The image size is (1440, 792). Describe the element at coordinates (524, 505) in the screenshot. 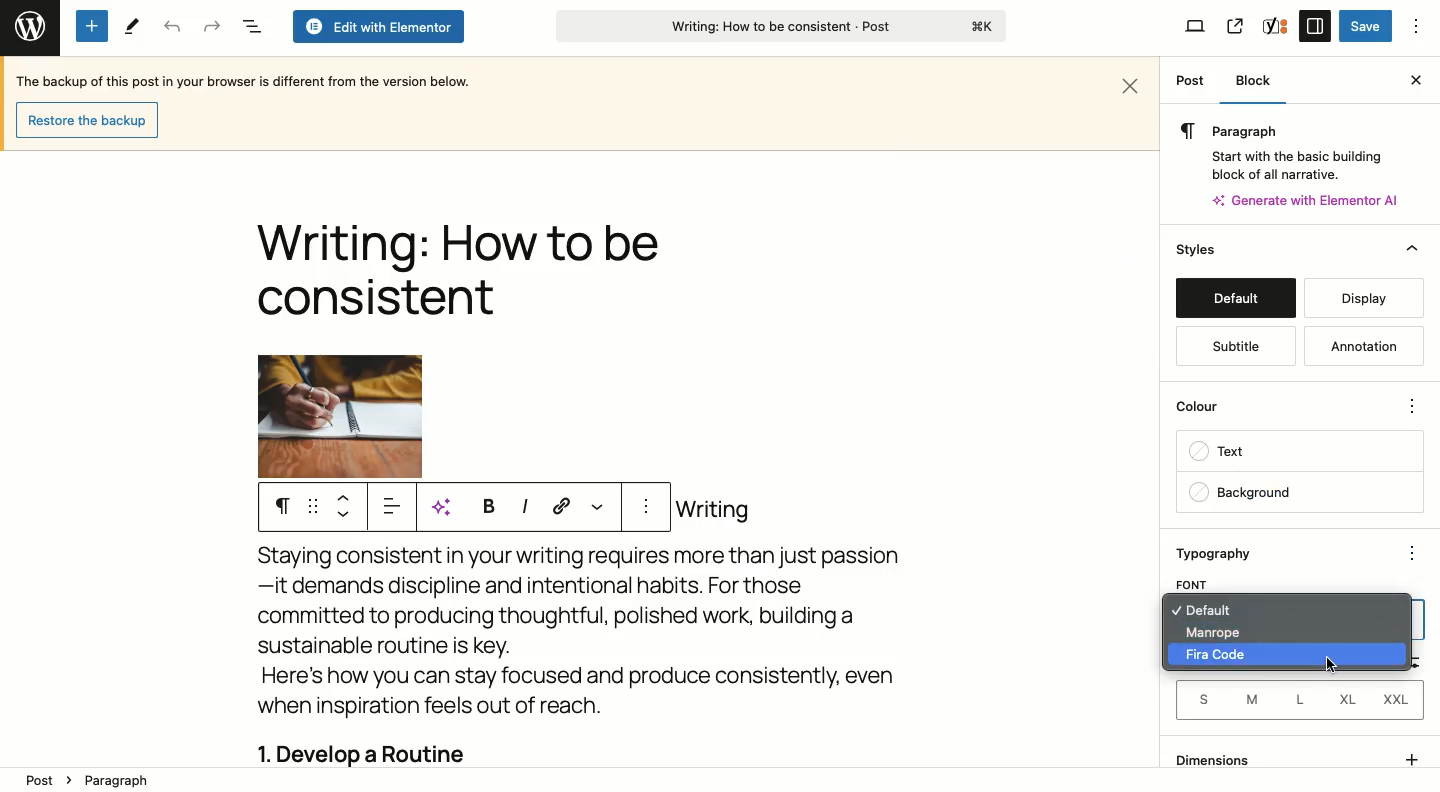

I see `Italics` at that location.